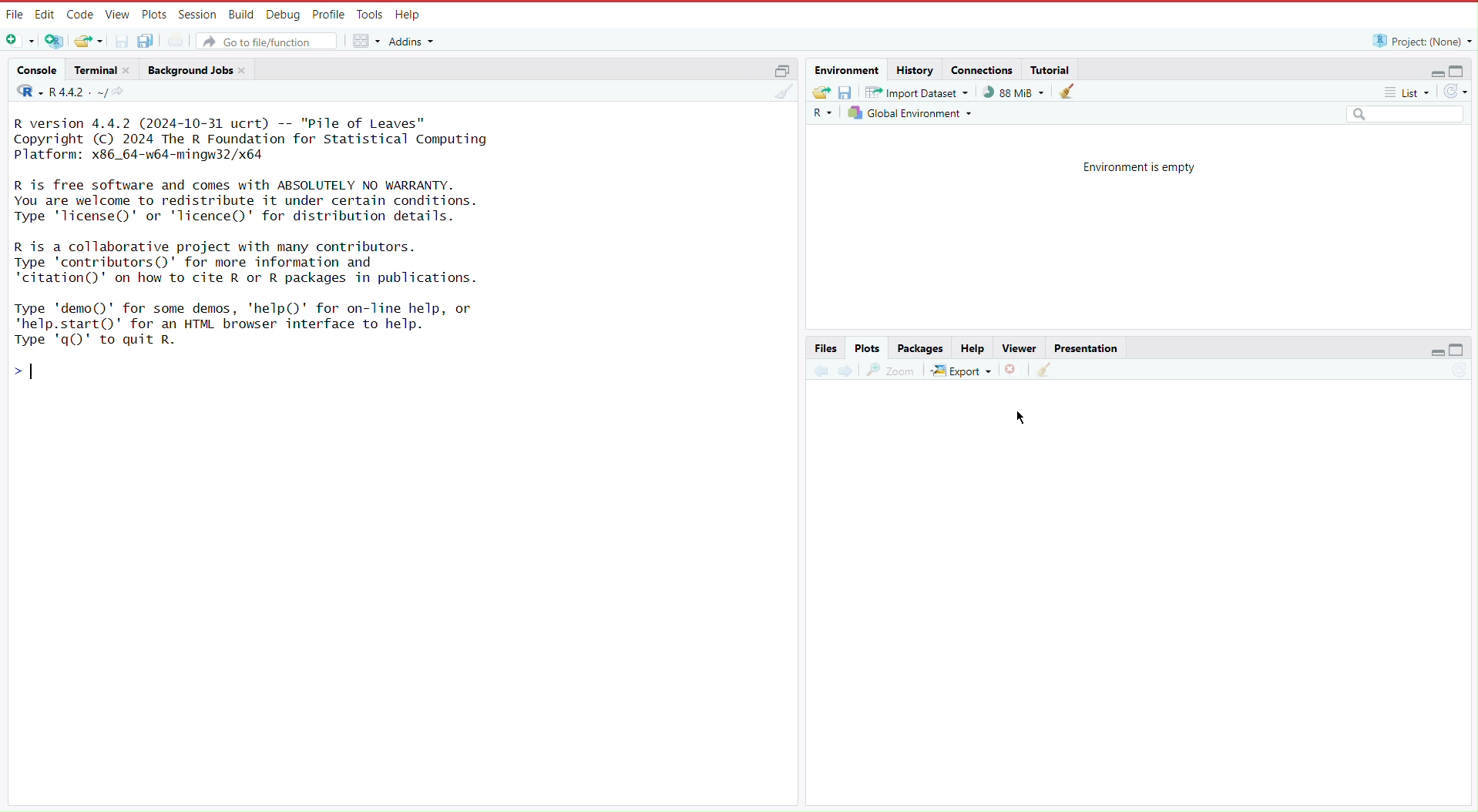 The width and height of the screenshot is (1478, 812). I want to click on Save workspace as, so click(848, 92).